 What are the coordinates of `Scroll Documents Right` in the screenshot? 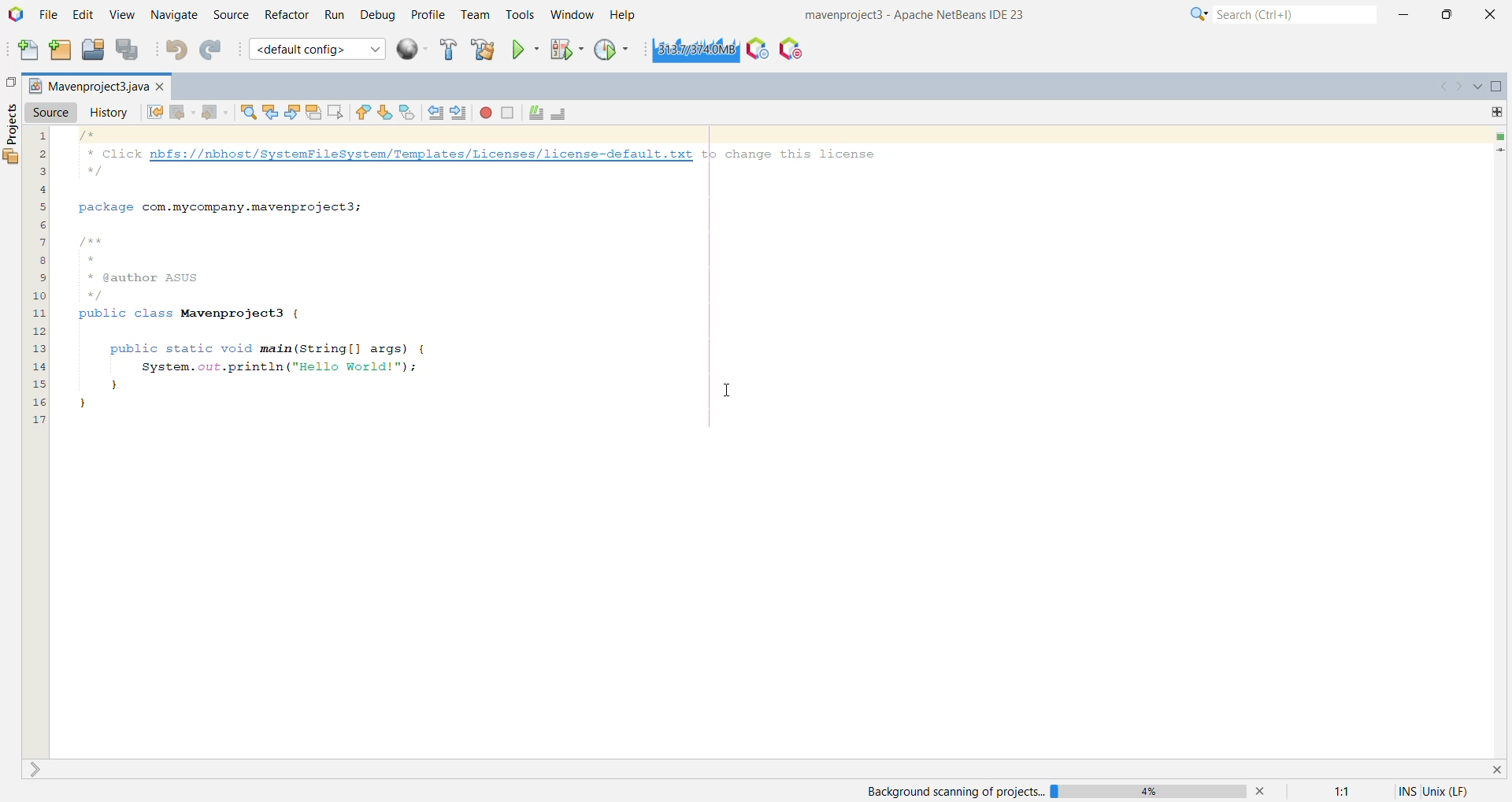 It's located at (1438, 86).